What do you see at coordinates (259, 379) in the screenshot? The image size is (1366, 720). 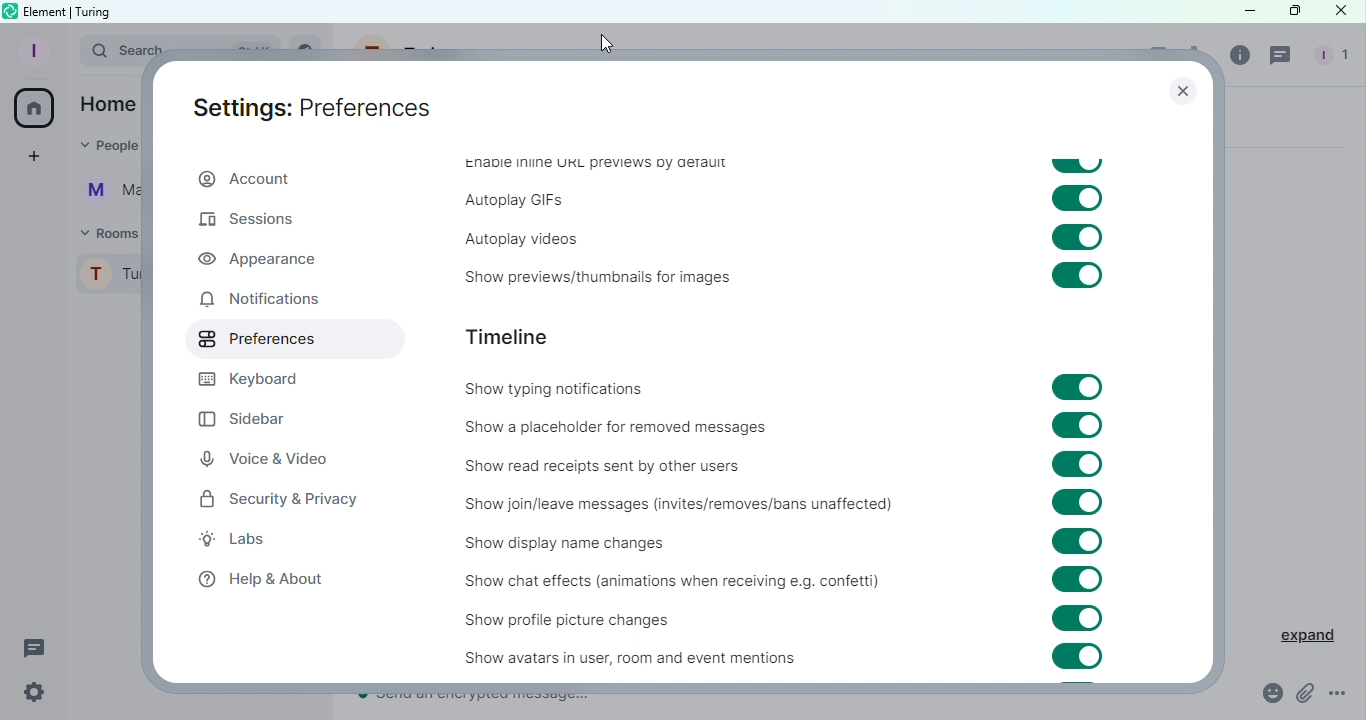 I see `Keyboard` at bounding box center [259, 379].